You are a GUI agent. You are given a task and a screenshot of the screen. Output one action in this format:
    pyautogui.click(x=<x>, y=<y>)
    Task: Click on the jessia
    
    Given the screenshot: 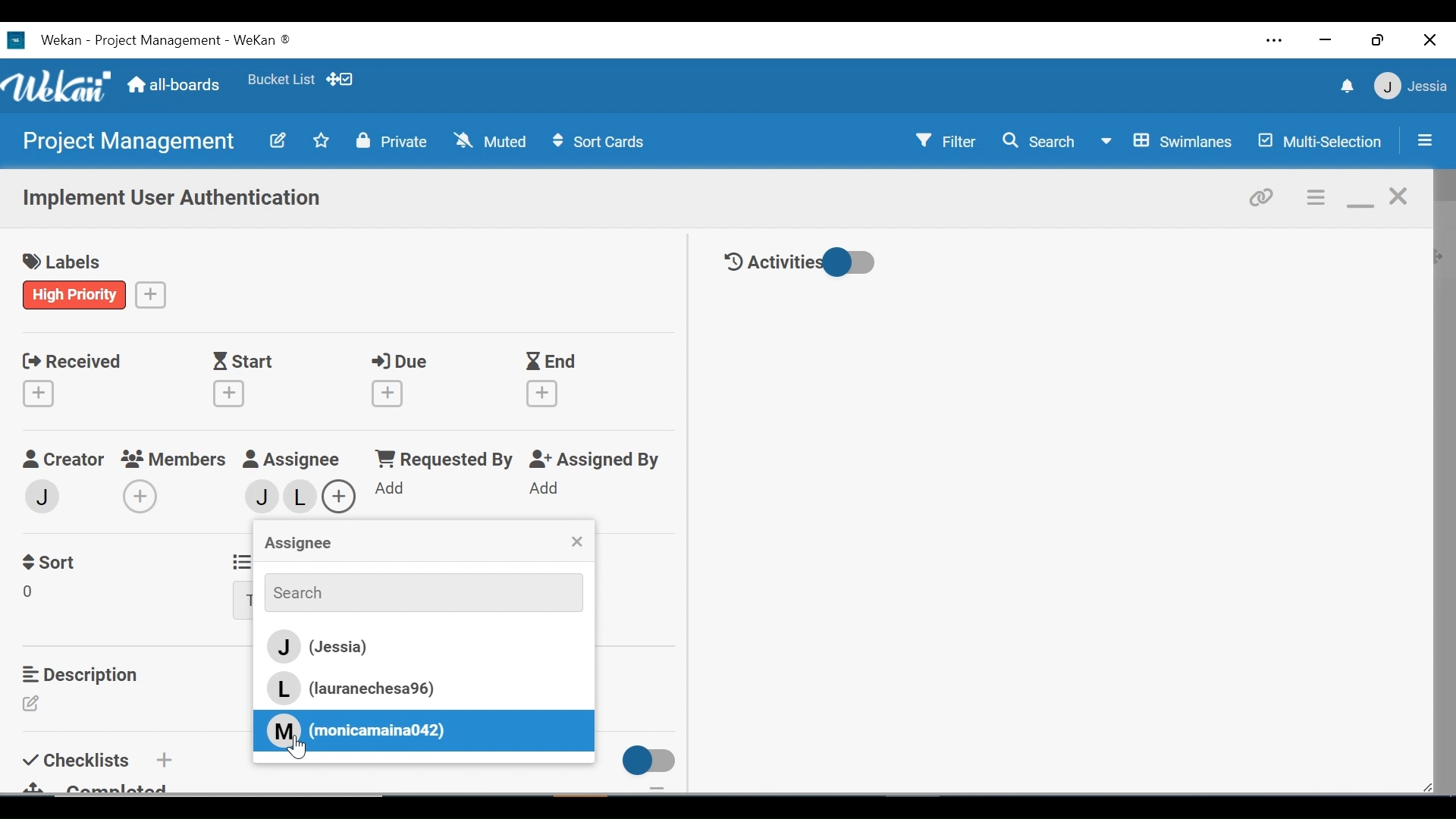 What is the action you would take?
    pyautogui.click(x=255, y=497)
    